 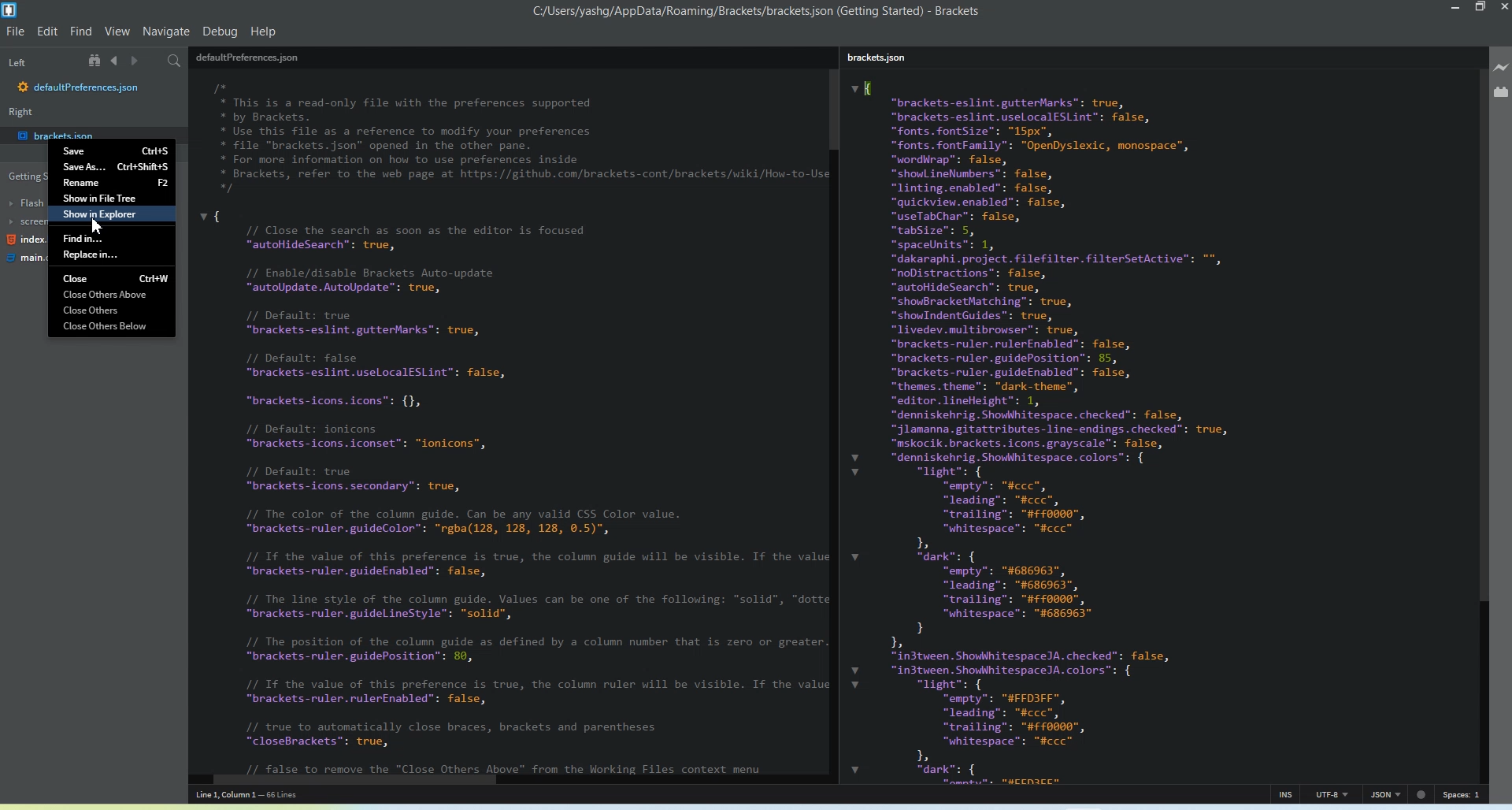 What do you see at coordinates (49, 30) in the screenshot?
I see `Edit` at bounding box center [49, 30].